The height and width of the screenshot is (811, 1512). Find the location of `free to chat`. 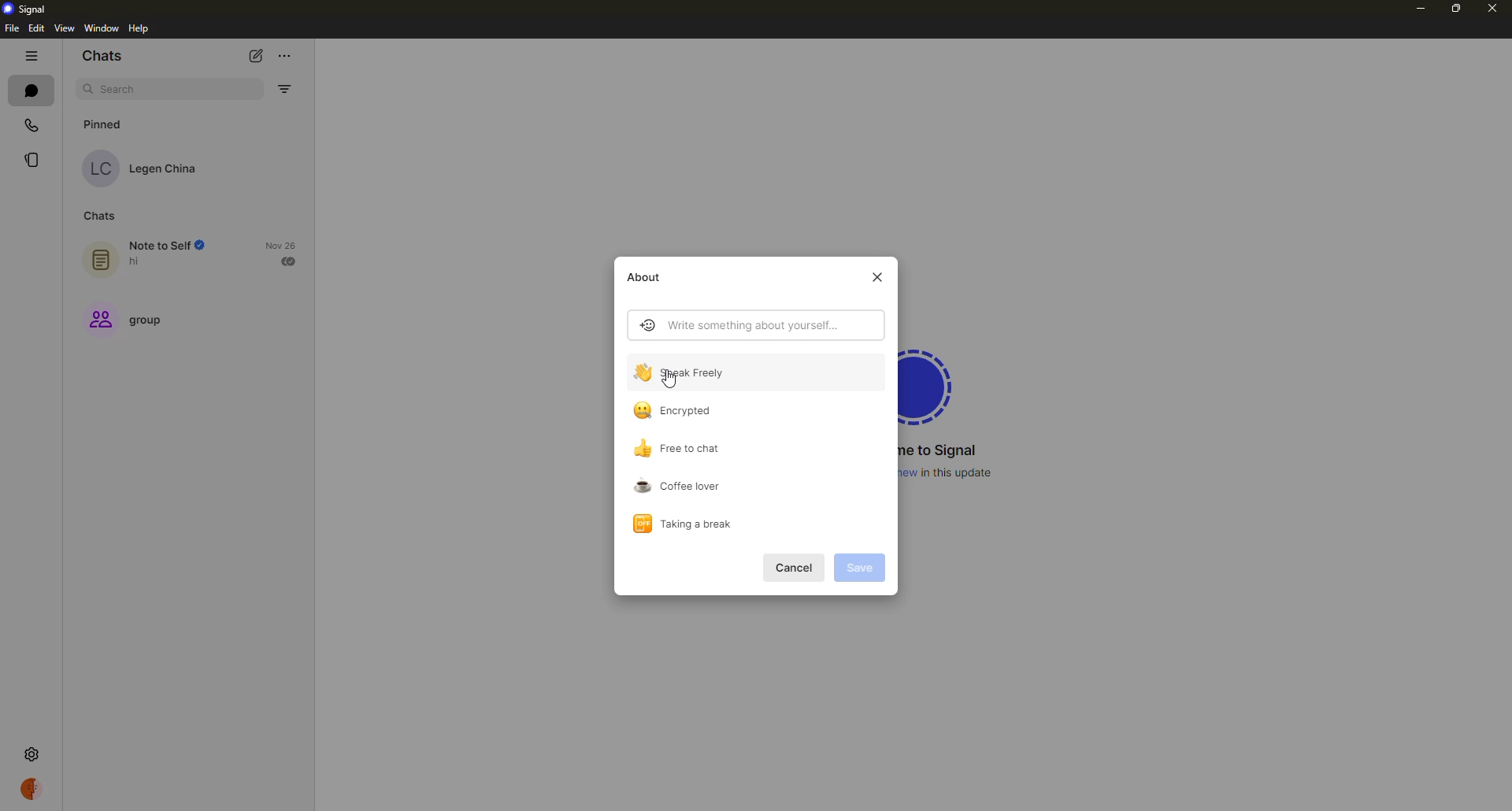

free to chat is located at coordinates (681, 448).